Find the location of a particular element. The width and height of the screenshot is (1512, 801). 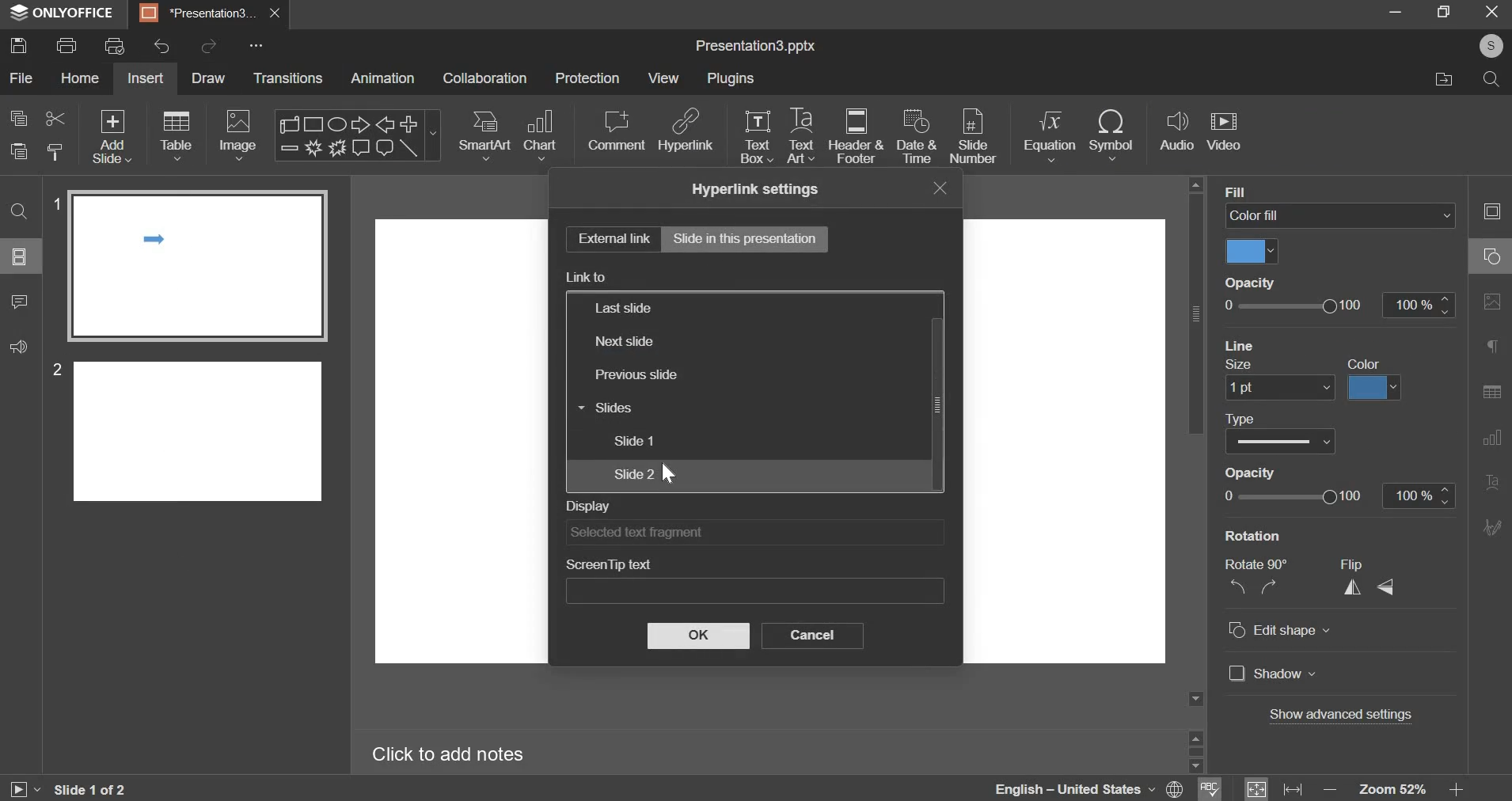

text box is located at coordinates (757, 137).